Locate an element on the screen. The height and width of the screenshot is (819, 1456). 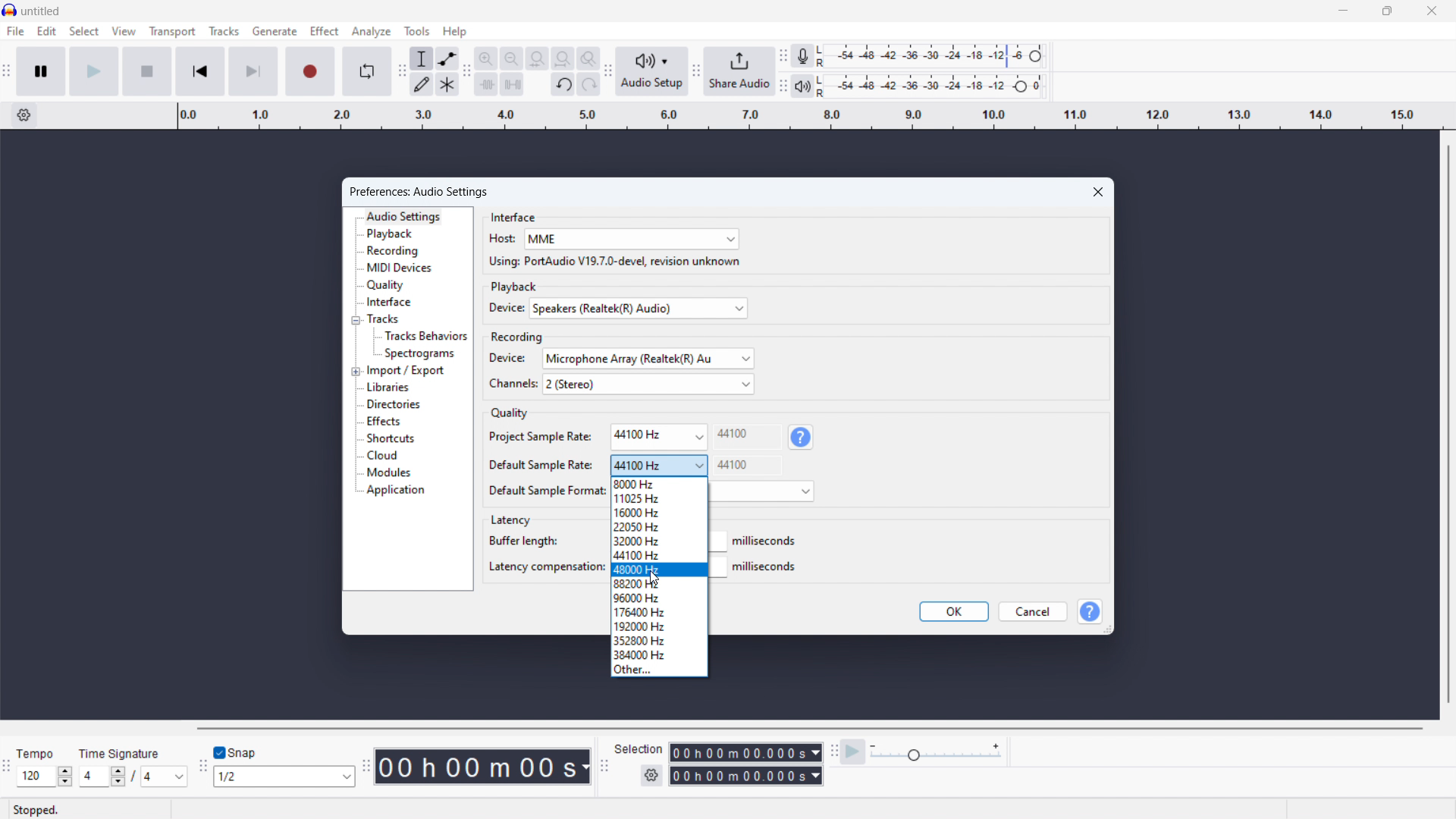
collapse is located at coordinates (356, 320).